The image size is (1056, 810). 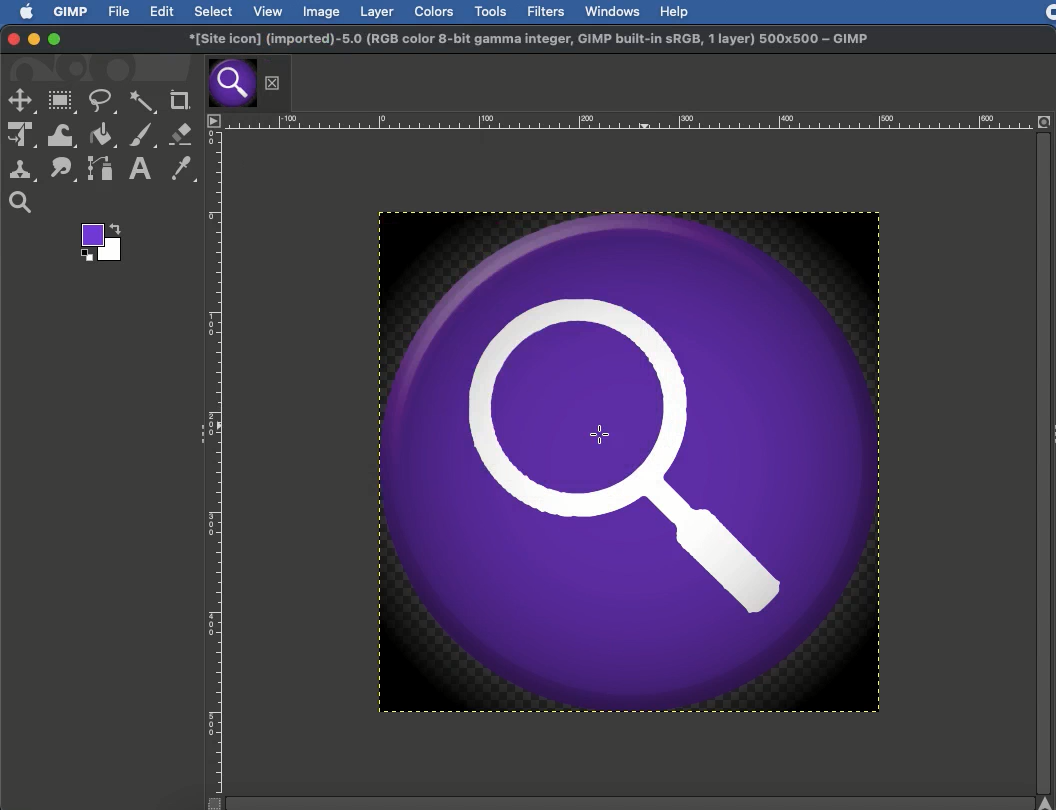 I want to click on GIMP project, so click(x=531, y=39).